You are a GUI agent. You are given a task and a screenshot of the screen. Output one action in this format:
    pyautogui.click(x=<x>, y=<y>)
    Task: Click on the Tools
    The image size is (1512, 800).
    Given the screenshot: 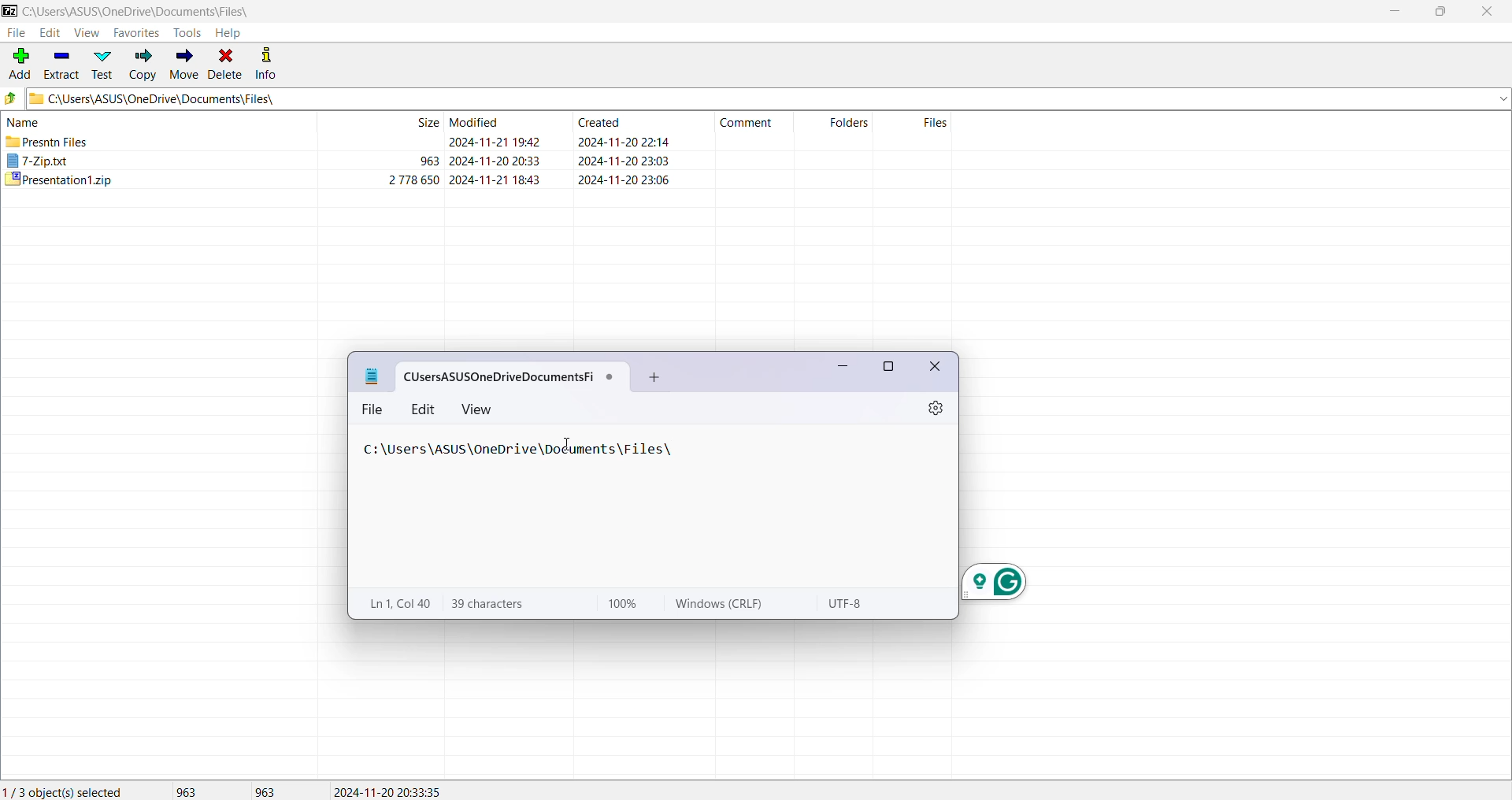 What is the action you would take?
    pyautogui.click(x=187, y=33)
    